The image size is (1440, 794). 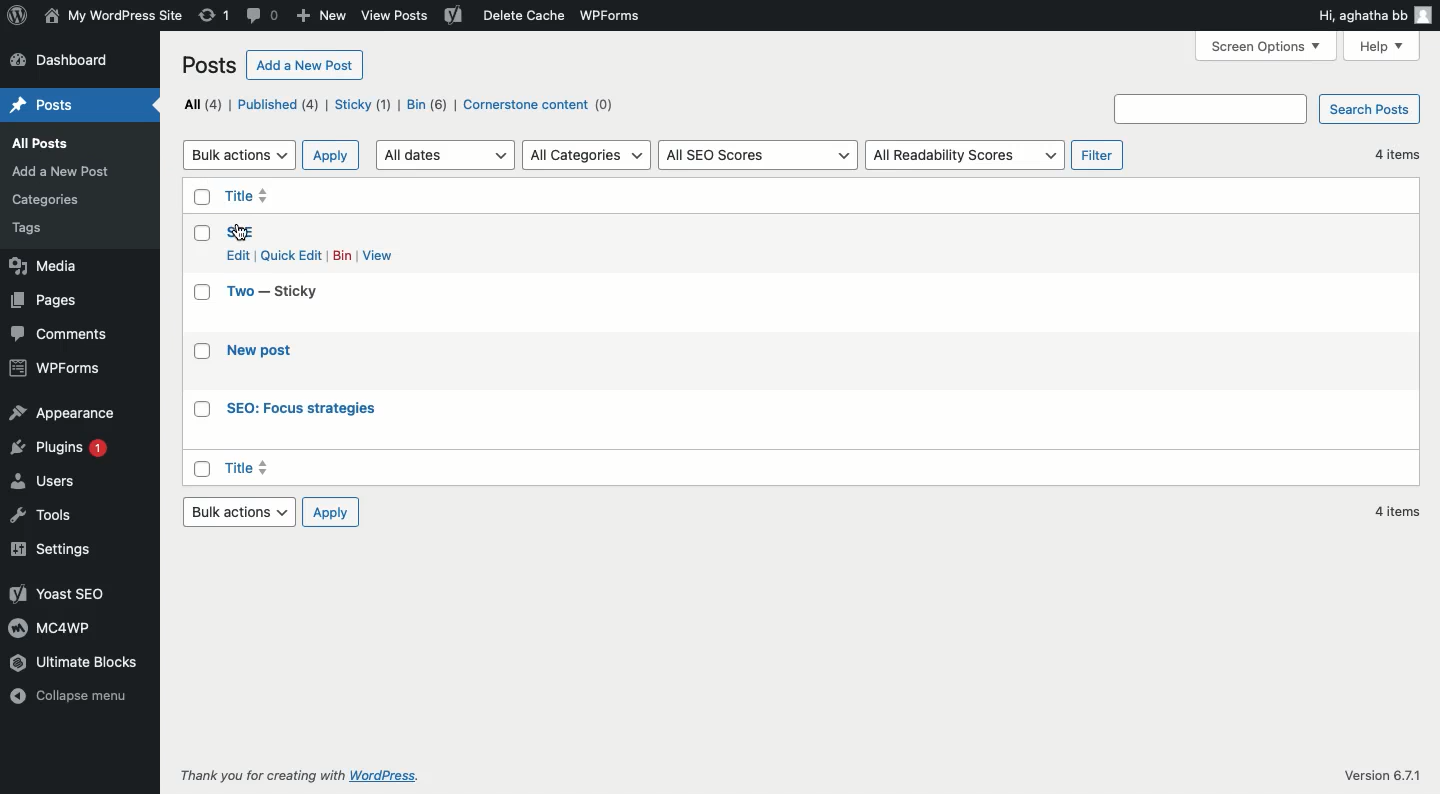 What do you see at coordinates (215, 16) in the screenshot?
I see `rework` at bounding box center [215, 16].